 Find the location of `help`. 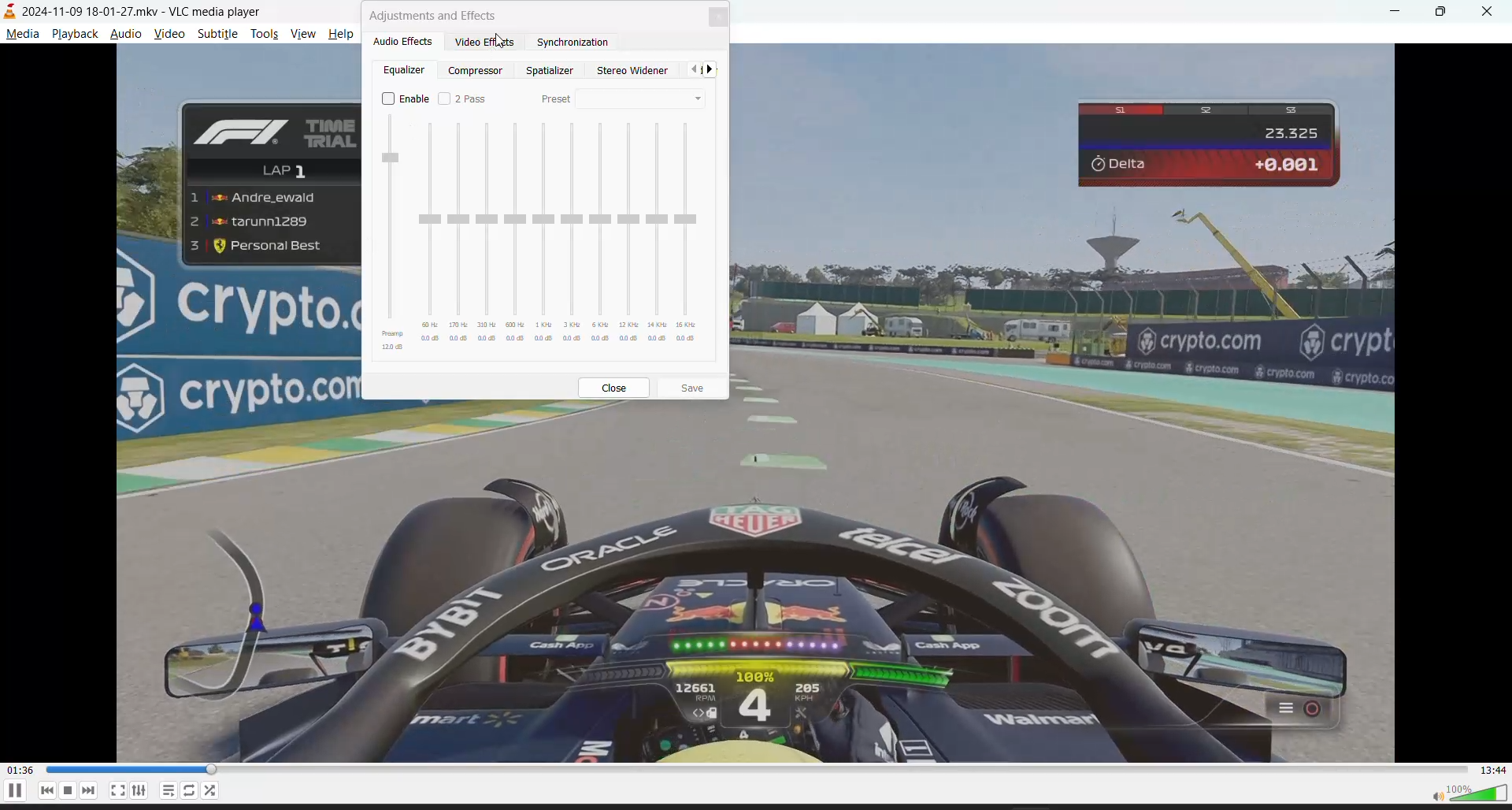

help is located at coordinates (344, 33).